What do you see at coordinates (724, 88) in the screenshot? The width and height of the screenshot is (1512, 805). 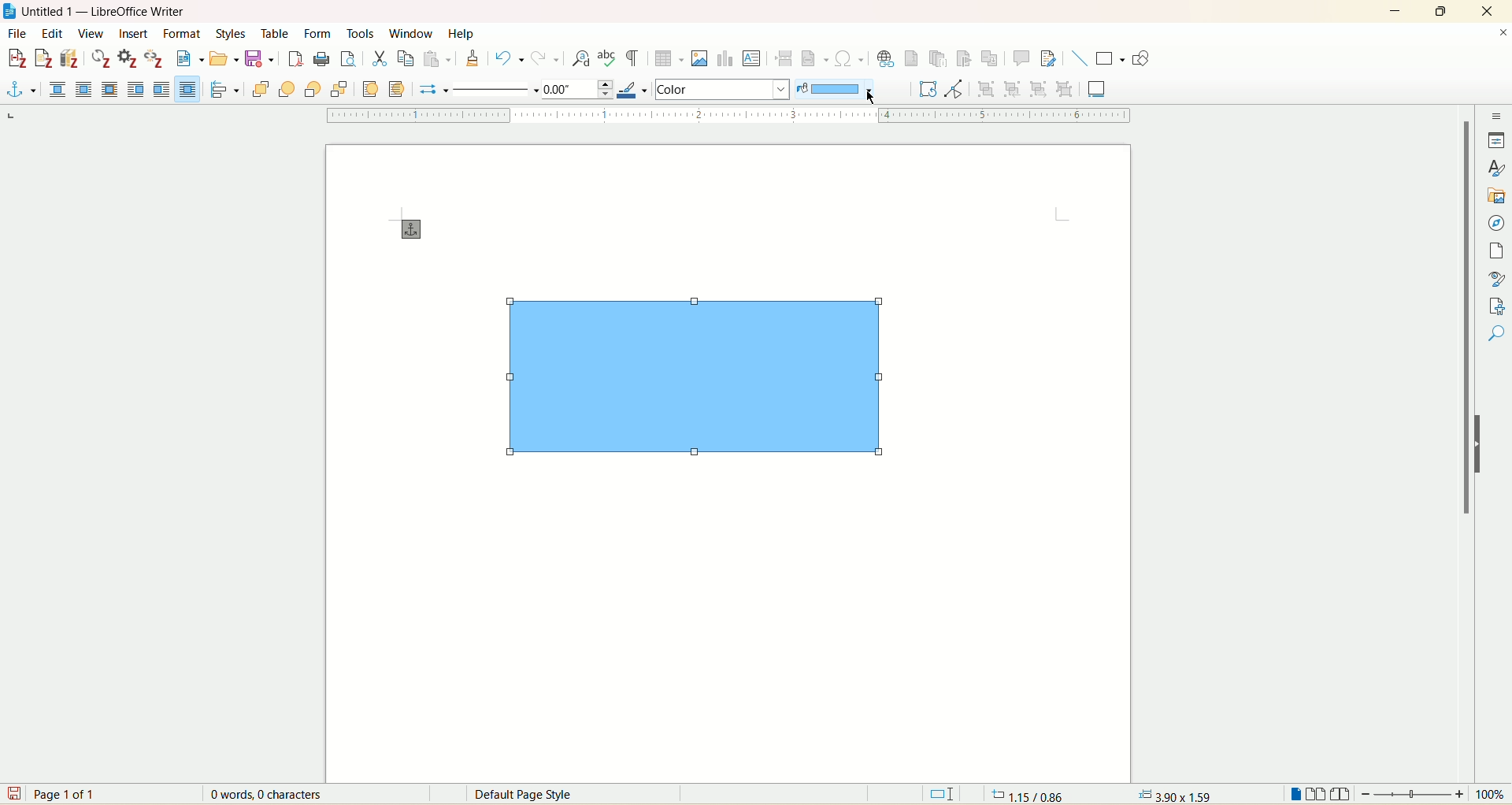 I see `colors` at bounding box center [724, 88].